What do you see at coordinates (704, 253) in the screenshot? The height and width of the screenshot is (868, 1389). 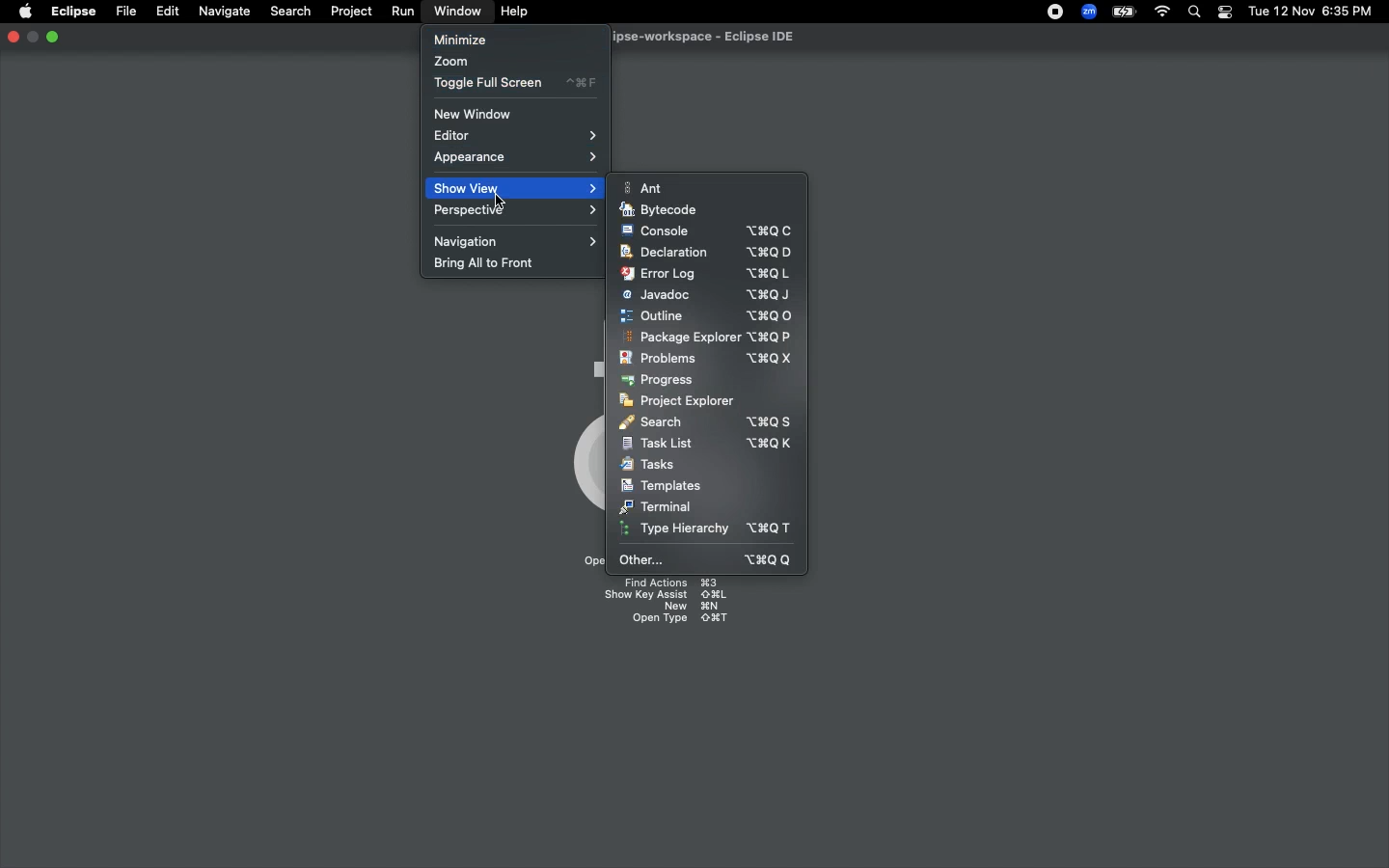 I see `Declaration` at bounding box center [704, 253].